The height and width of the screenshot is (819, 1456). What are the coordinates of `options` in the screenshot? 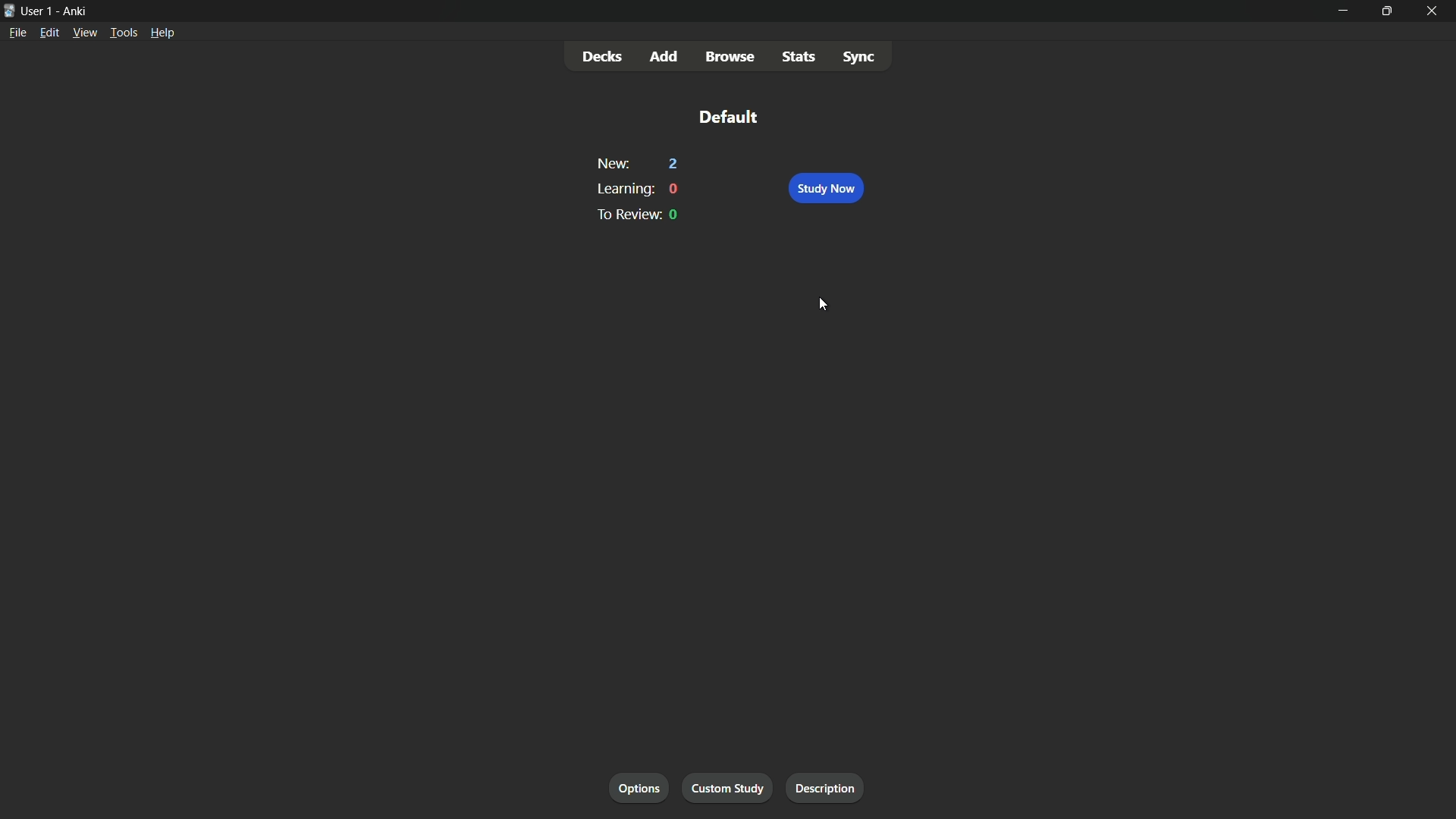 It's located at (639, 787).